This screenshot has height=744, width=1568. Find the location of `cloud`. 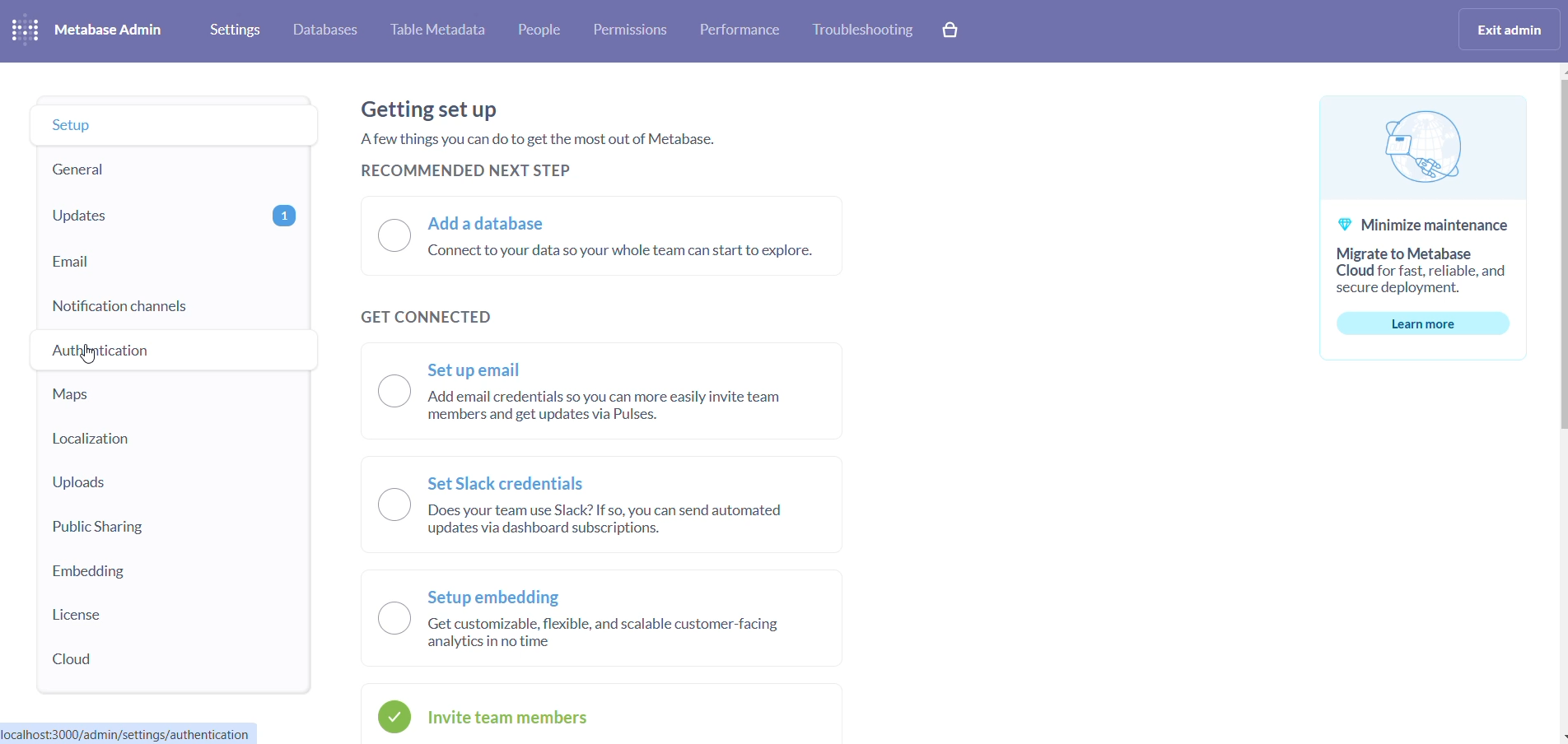

cloud is located at coordinates (110, 661).